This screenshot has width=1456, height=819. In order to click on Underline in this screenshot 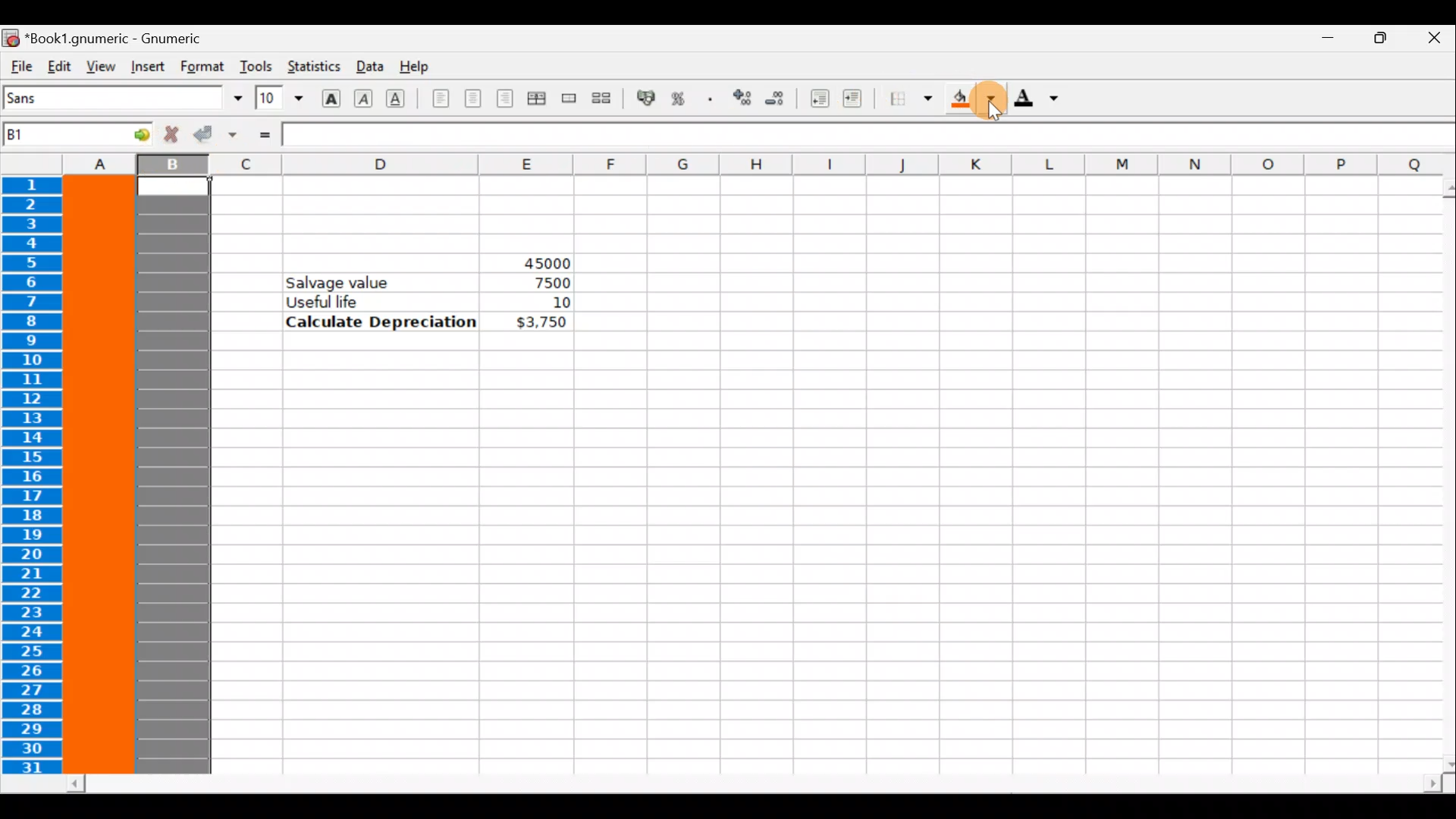, I will do `click(402, 99)`.